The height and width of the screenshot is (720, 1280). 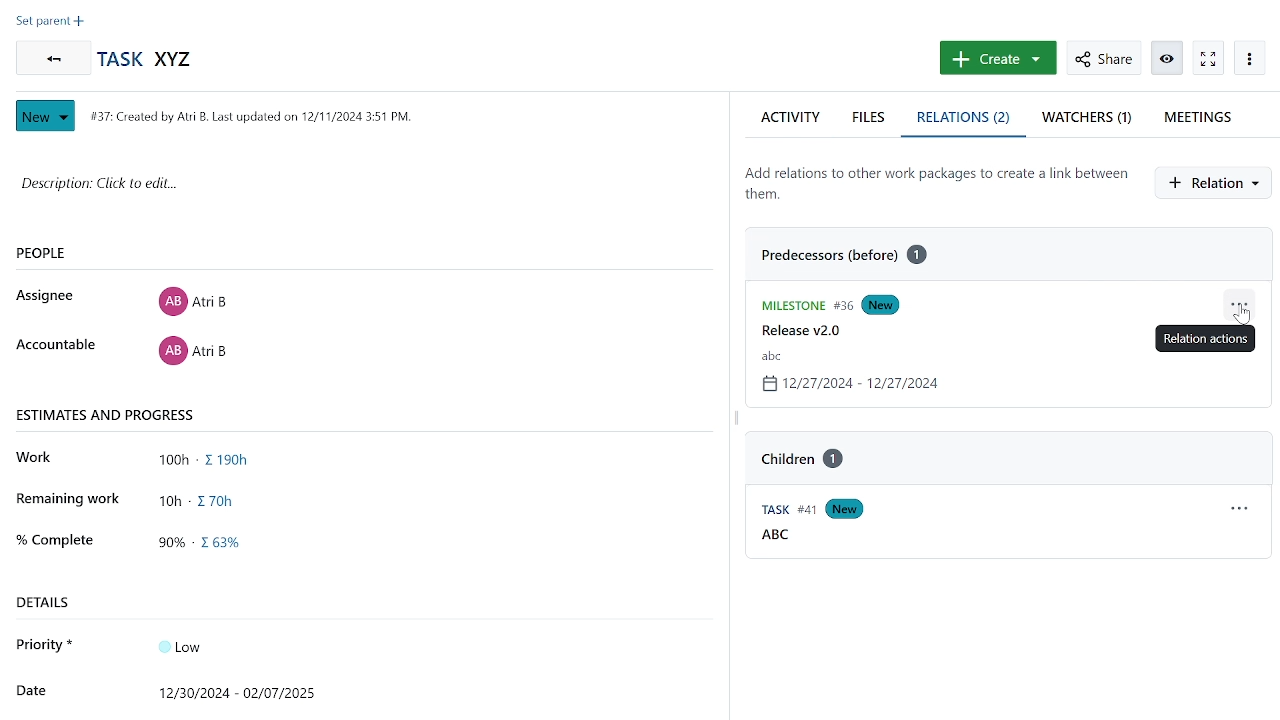 What do you see at coordinates (50, 58) in the screenshot?
I see `go back` at bounding box center [50, 58].